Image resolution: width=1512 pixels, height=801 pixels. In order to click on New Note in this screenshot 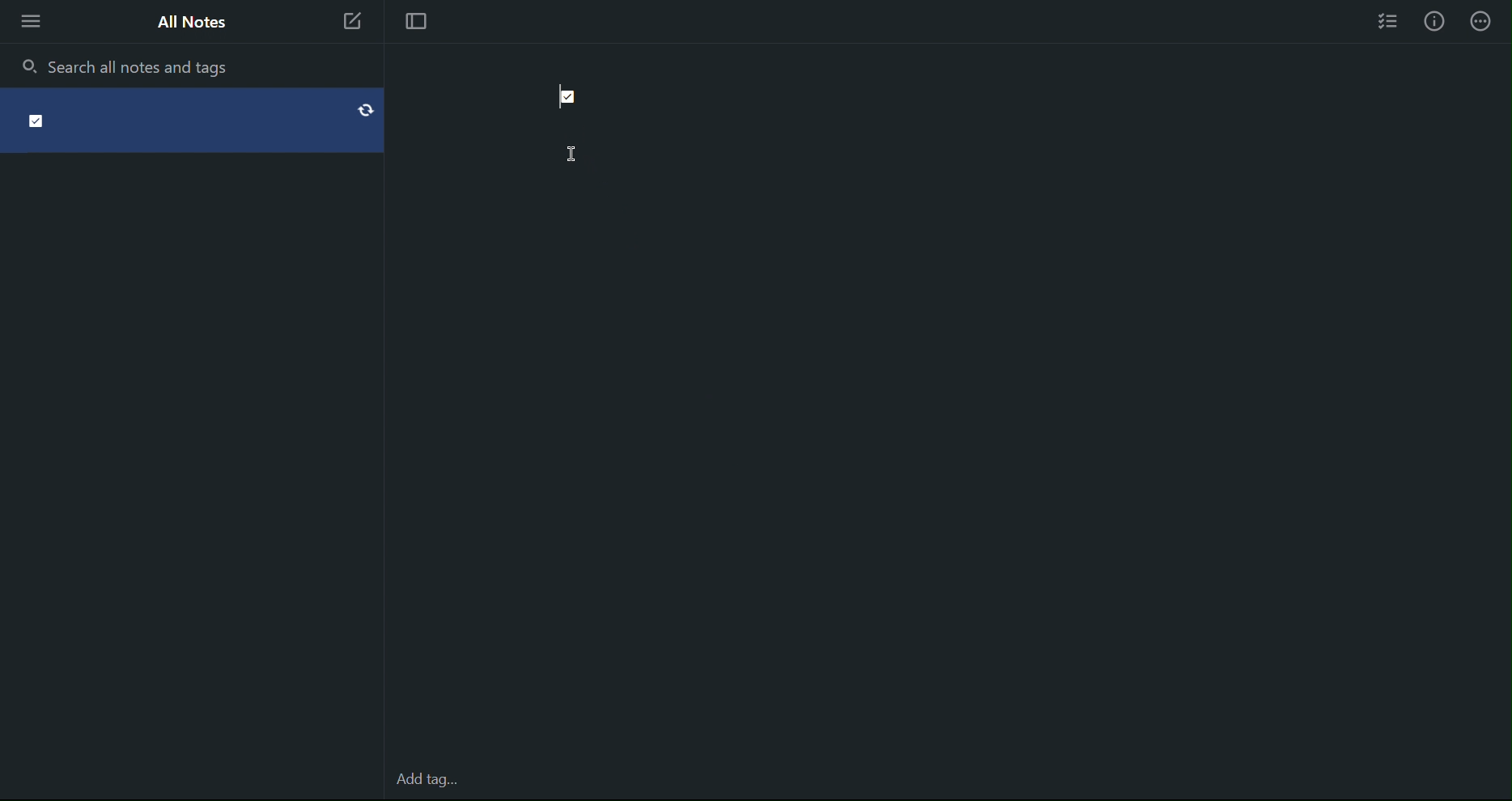, I will do `click(354, 20)`.